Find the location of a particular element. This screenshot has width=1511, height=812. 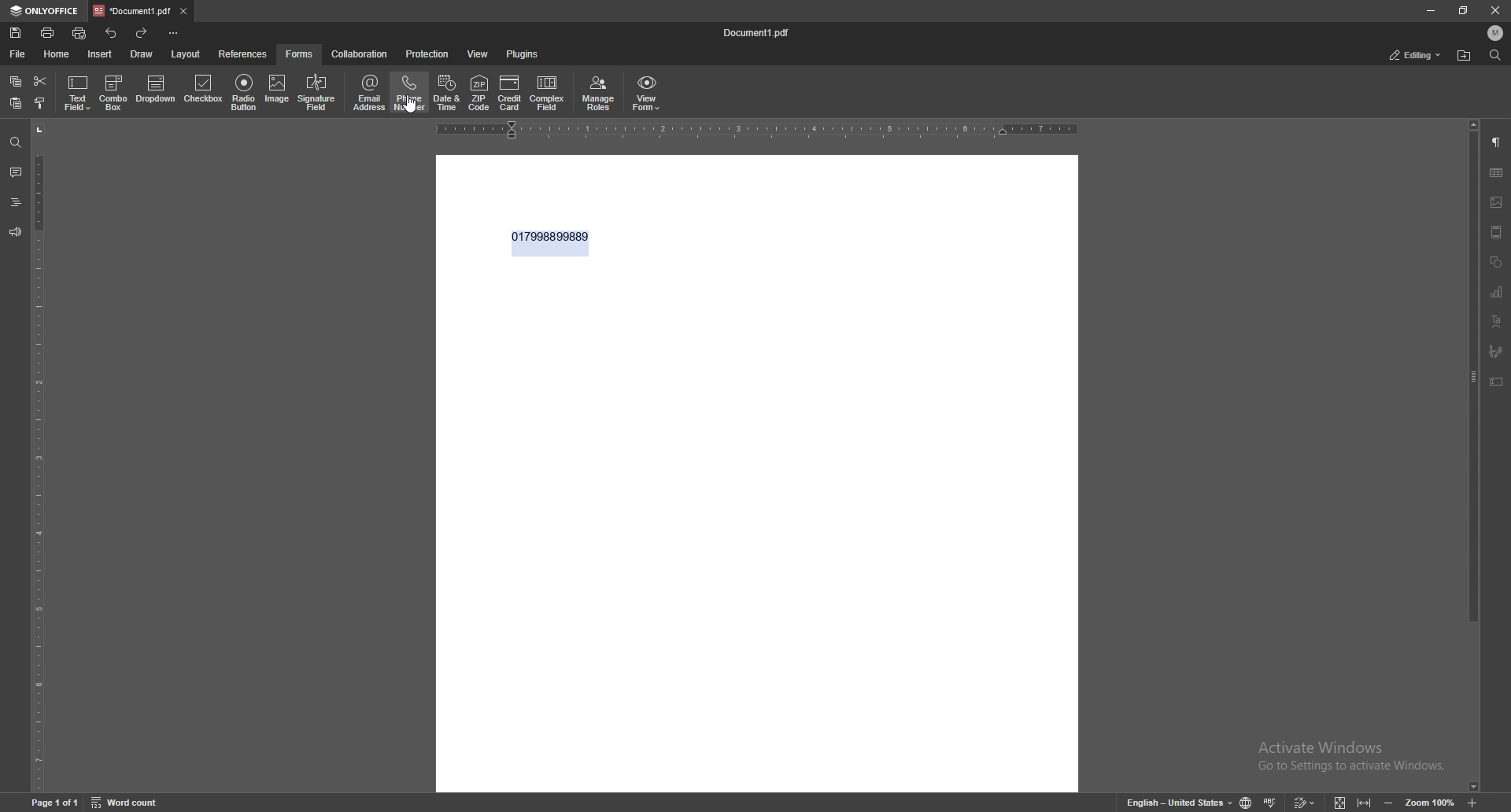

quickprint is located at coordinates (79, 34).